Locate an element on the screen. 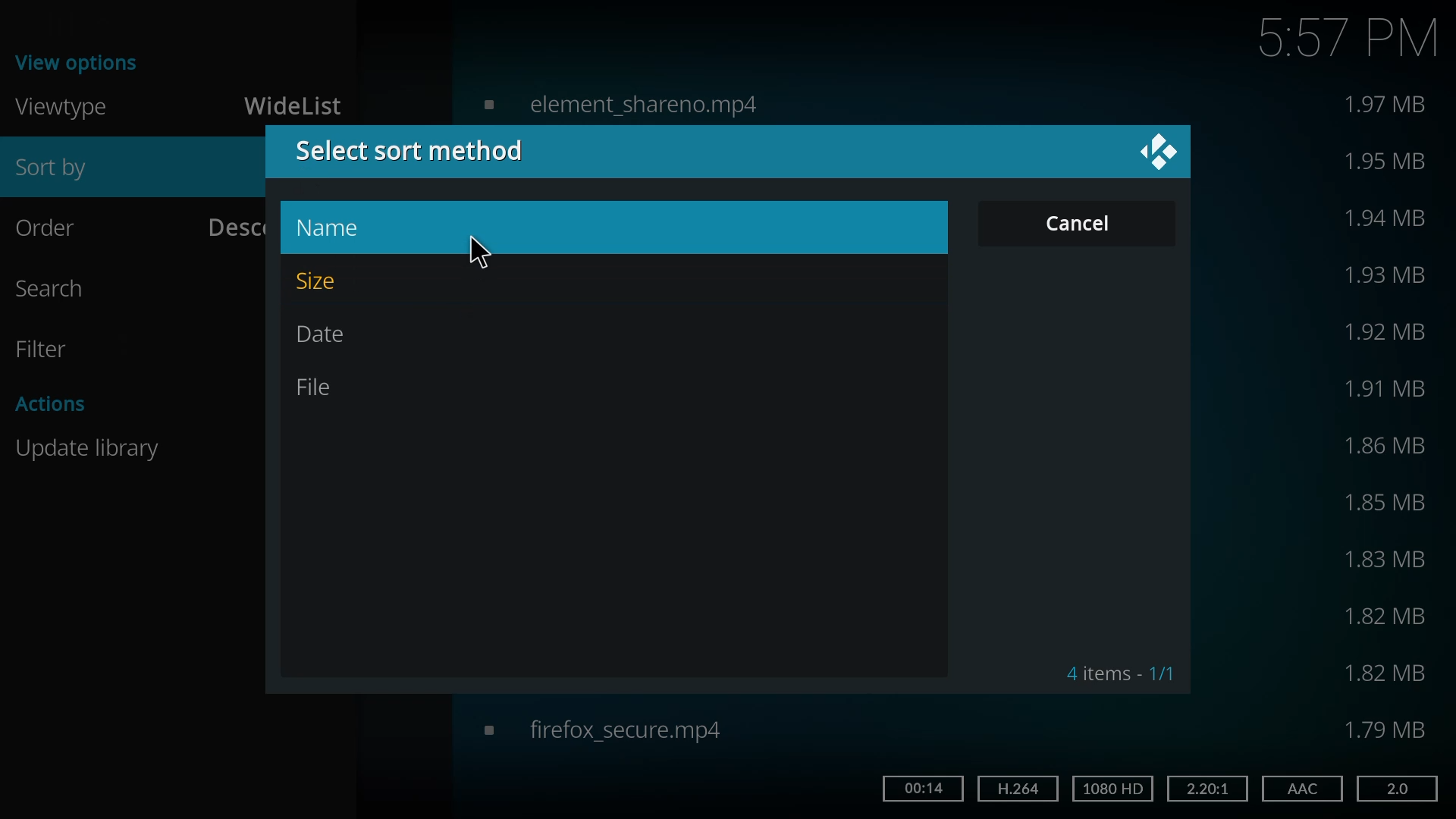 This screenshot has width=1456, height=819. cancel is located at coordinates (1085, 224).